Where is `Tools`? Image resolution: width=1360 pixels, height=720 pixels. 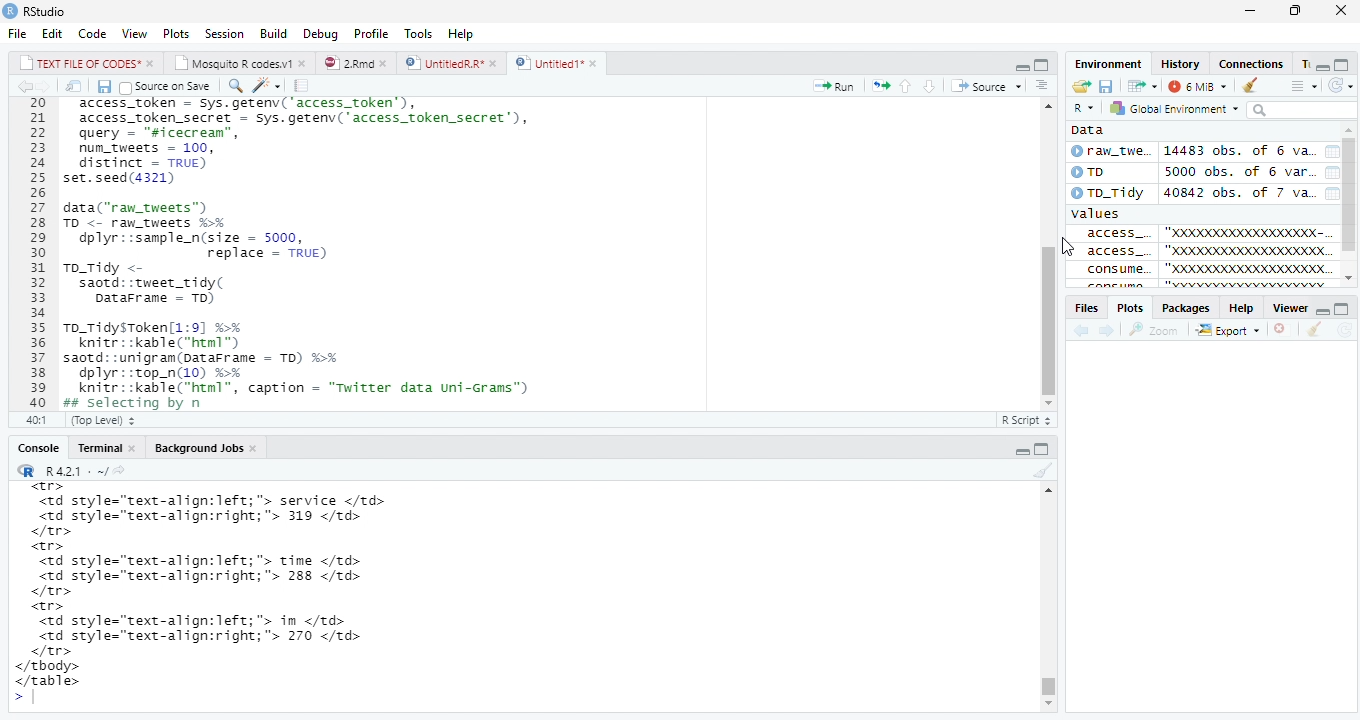
Tools is located at coordinates (416, 32).